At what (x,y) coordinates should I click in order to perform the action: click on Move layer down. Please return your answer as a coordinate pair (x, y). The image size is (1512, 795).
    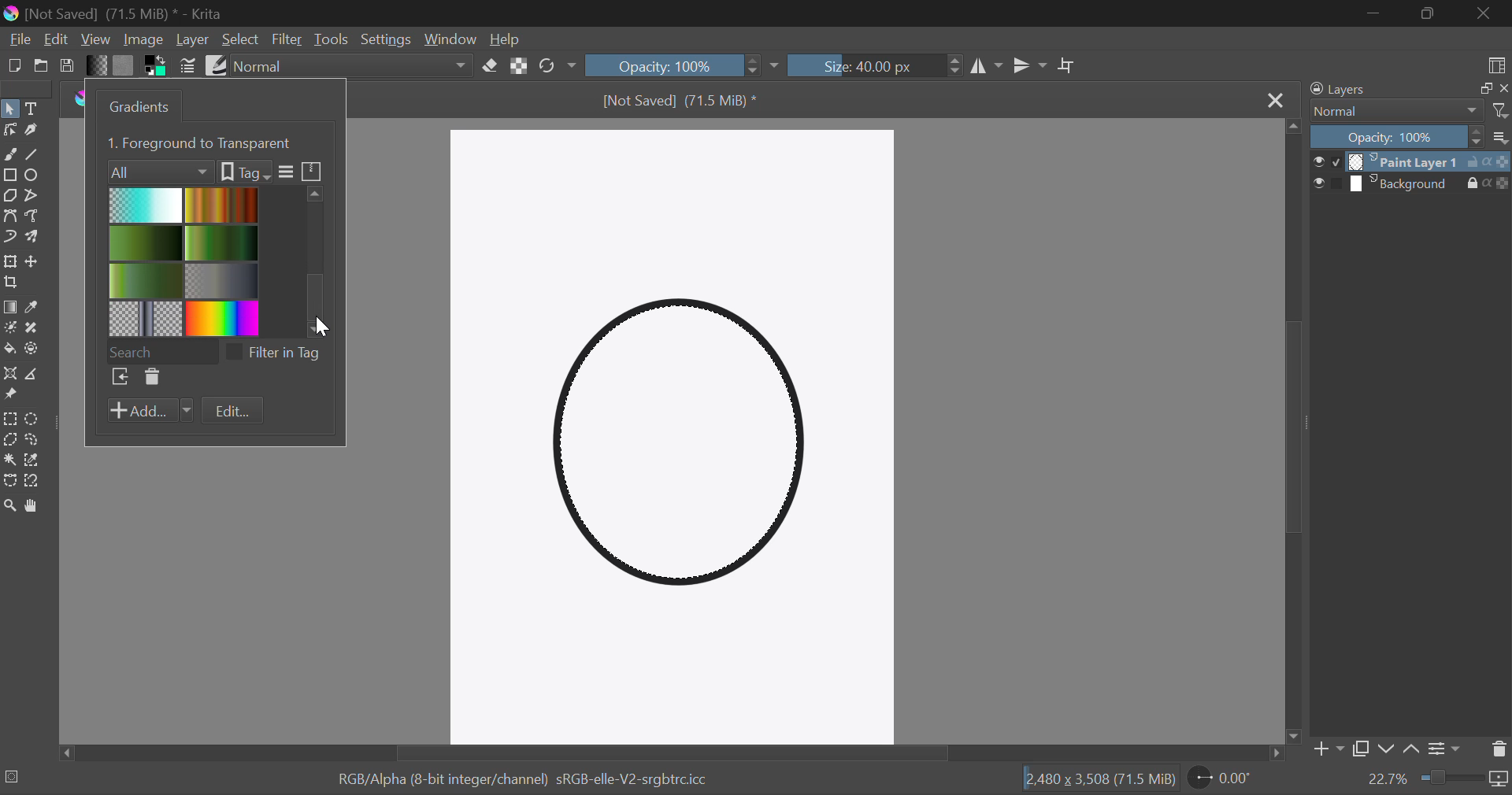
    Looking at the image, I should click on (1387, 751).